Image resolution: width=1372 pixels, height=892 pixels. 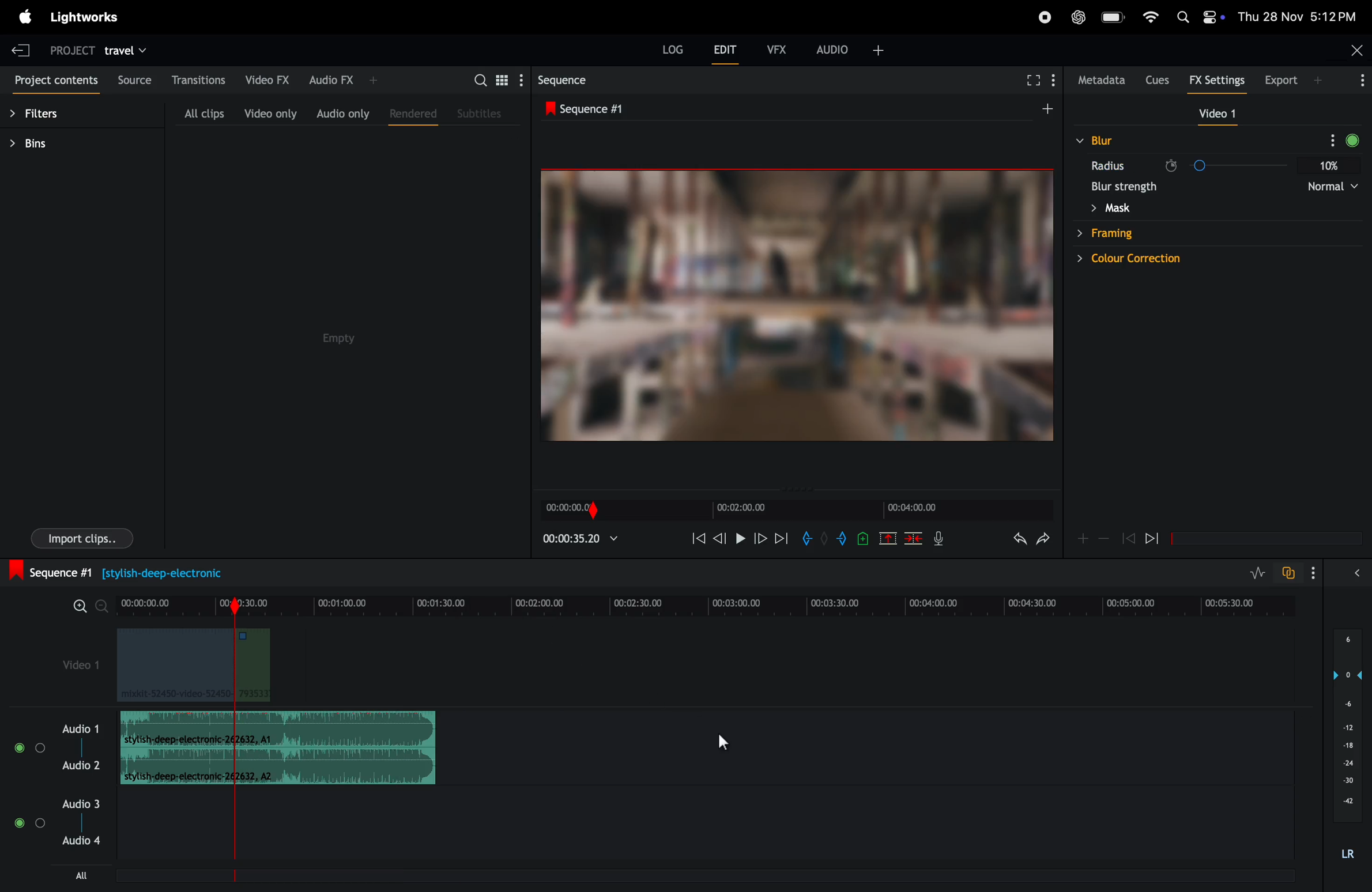 I want to click on zoom in zoom out, so click(x=87, y=605).